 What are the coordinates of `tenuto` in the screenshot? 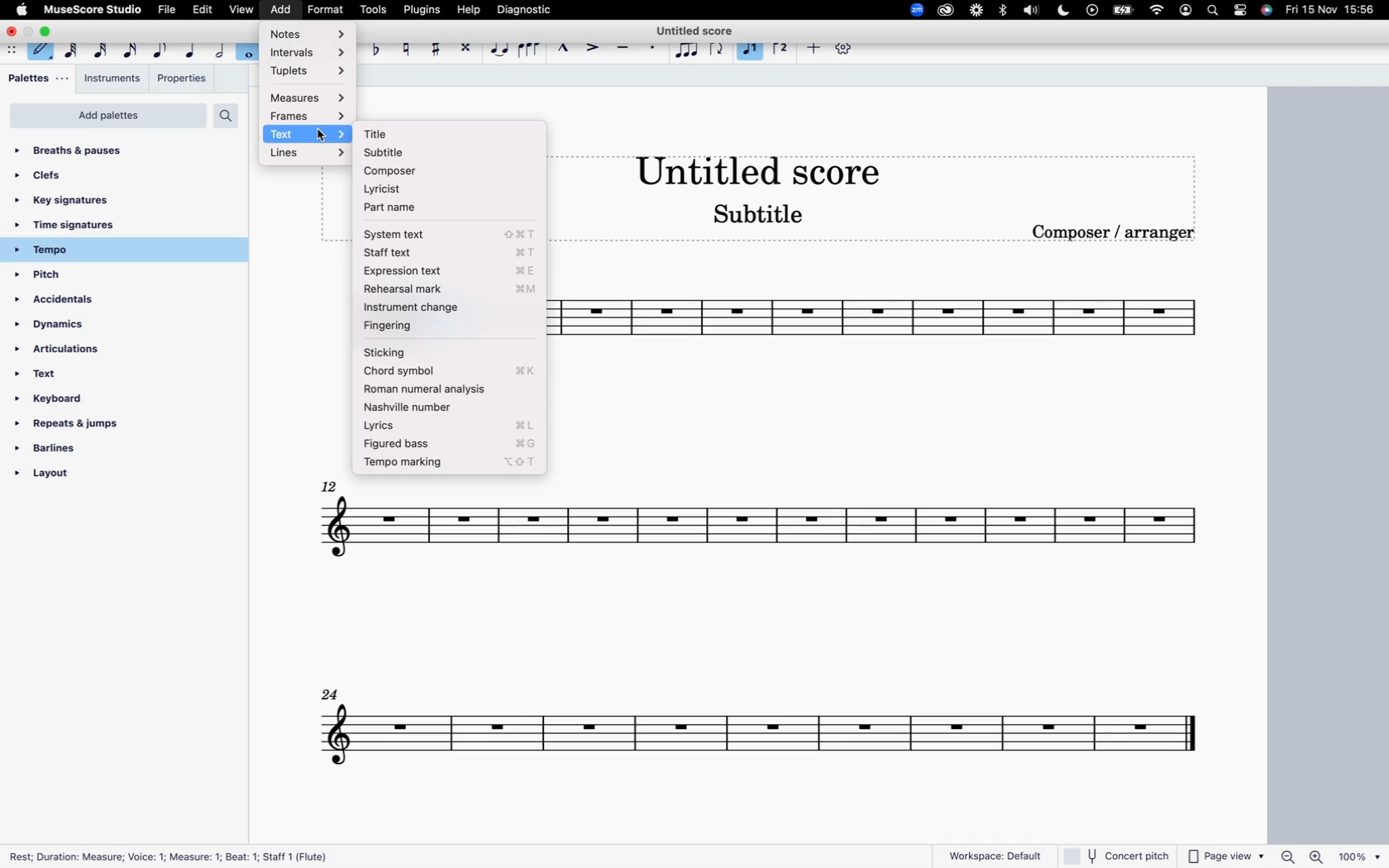 It's located at (622, 48).